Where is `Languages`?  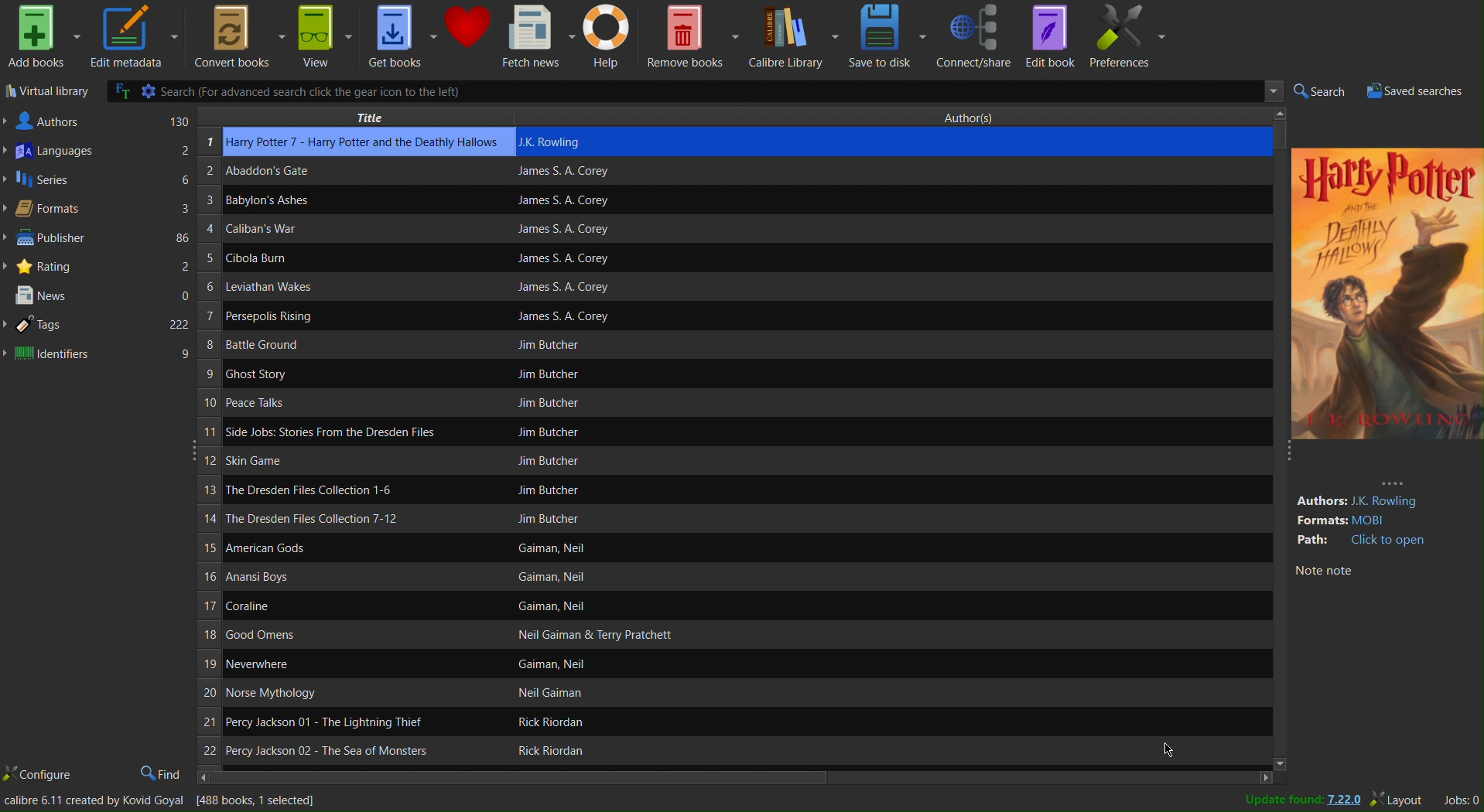
Languages is located at coordinates (99, 151).